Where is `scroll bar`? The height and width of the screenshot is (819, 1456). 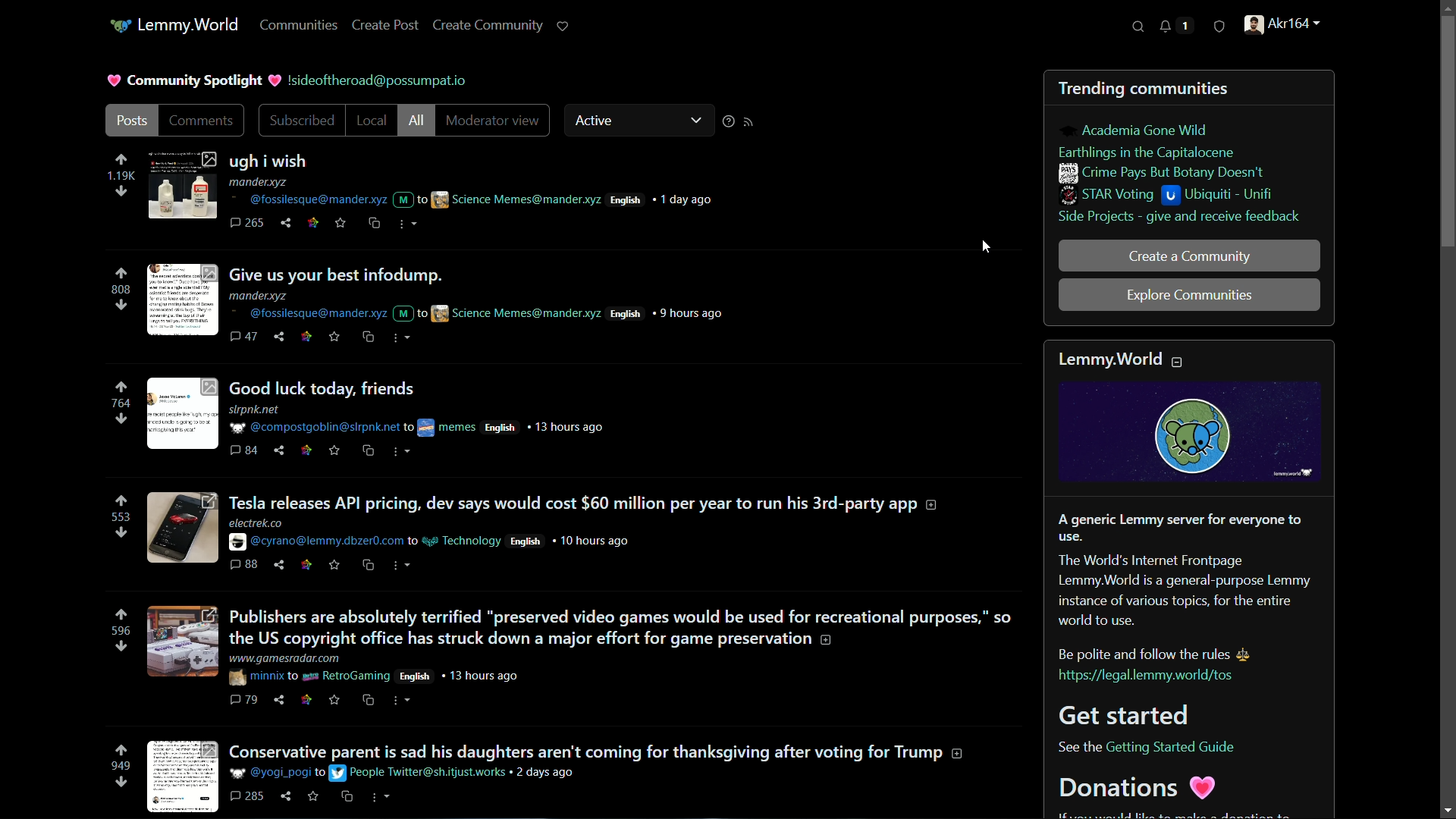 scroll bar is located at coordinates (1439, 408).